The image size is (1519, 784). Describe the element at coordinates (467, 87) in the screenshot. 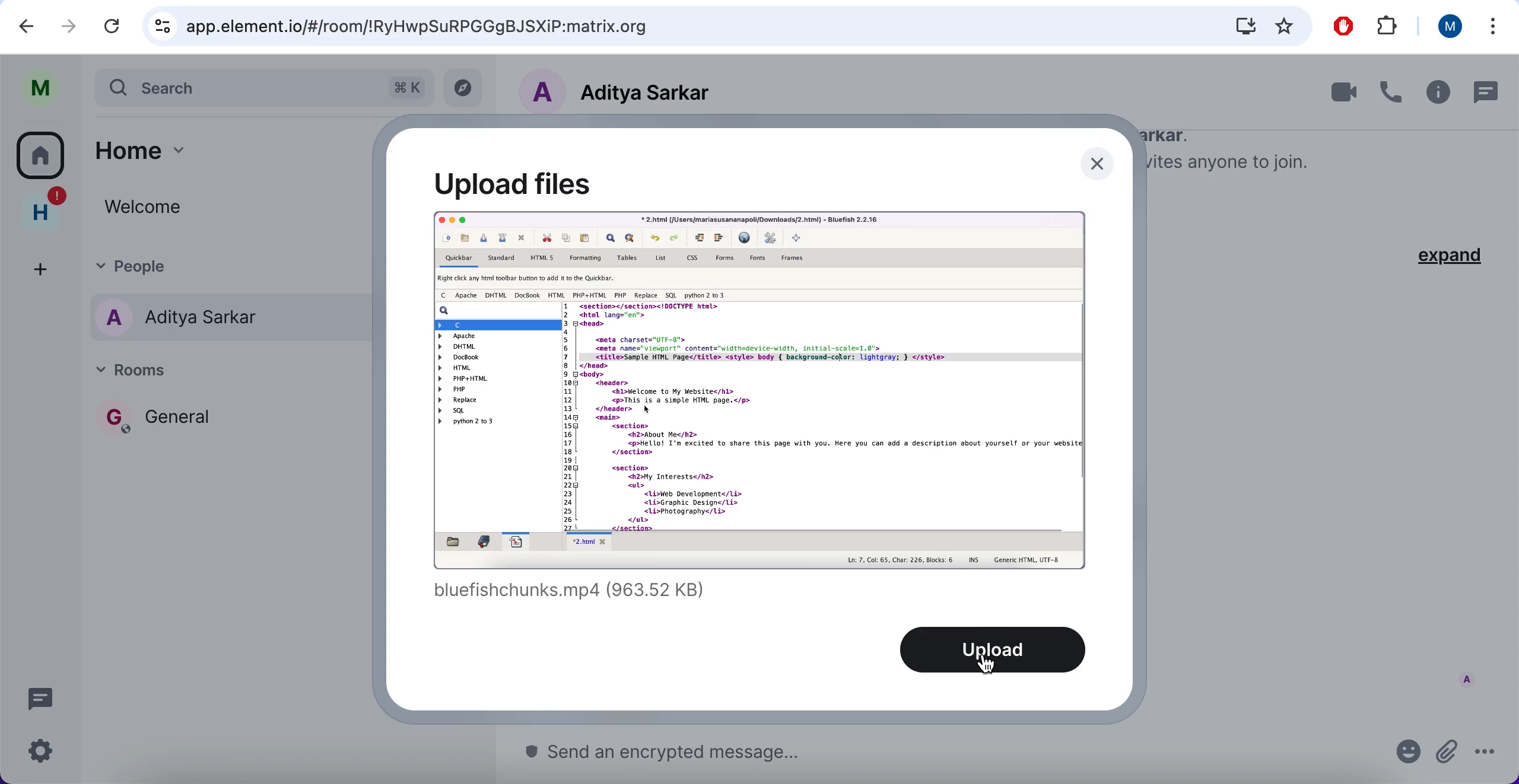

I see `view archive` at that location.